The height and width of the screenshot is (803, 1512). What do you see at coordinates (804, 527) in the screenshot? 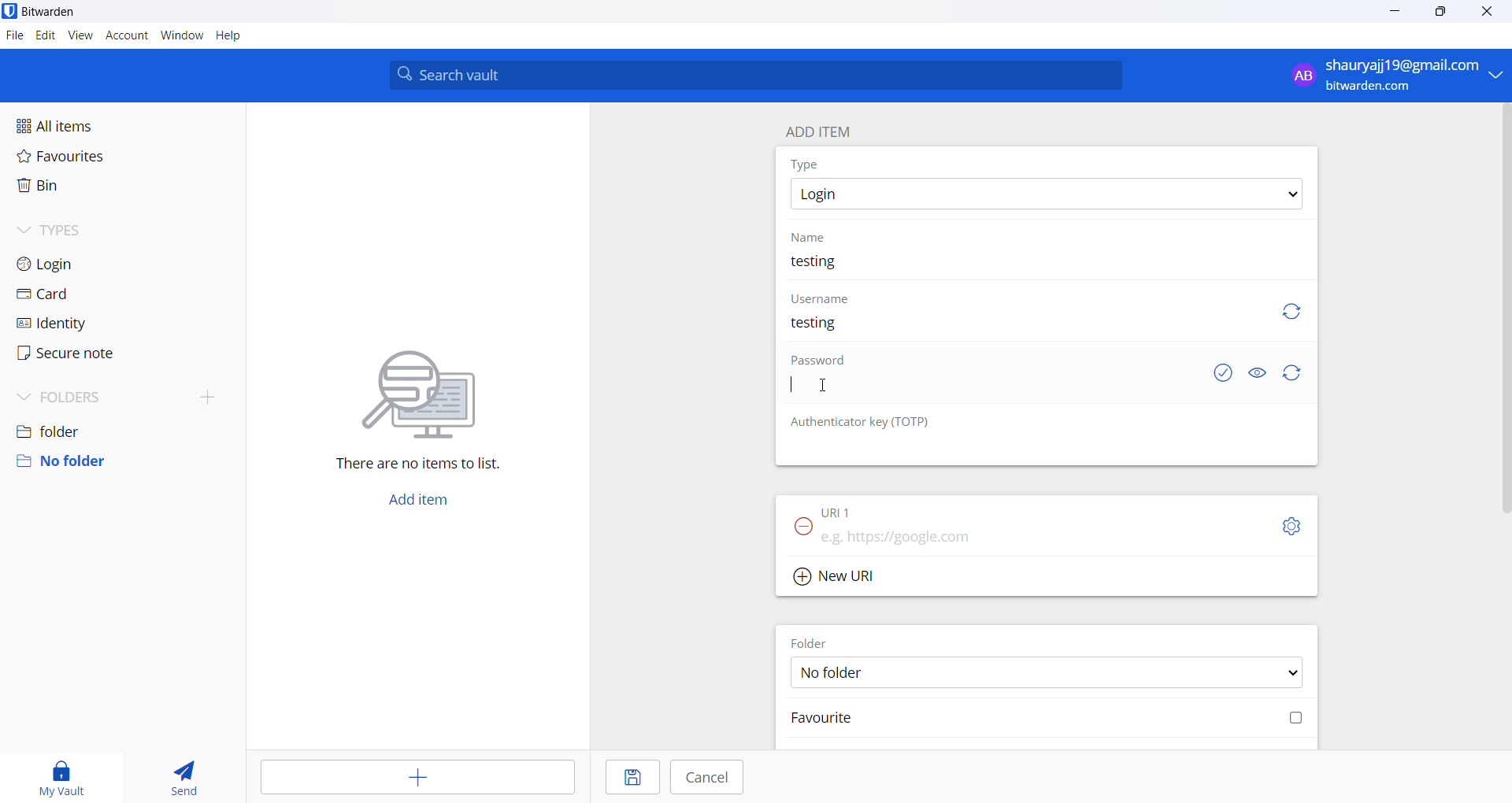
I see `remove URL` at bounding box center [804, 527].